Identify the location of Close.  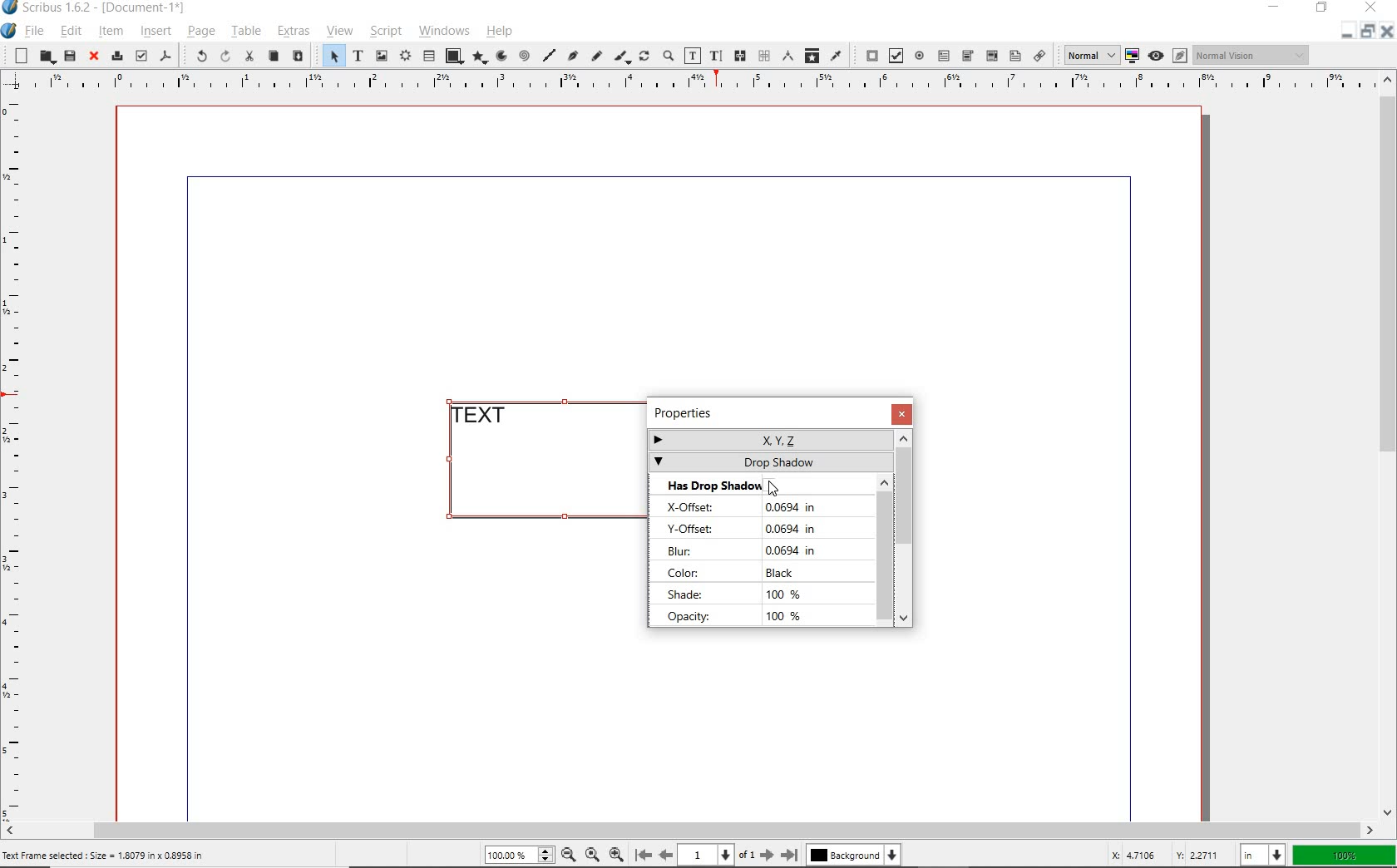
(1386, 32).